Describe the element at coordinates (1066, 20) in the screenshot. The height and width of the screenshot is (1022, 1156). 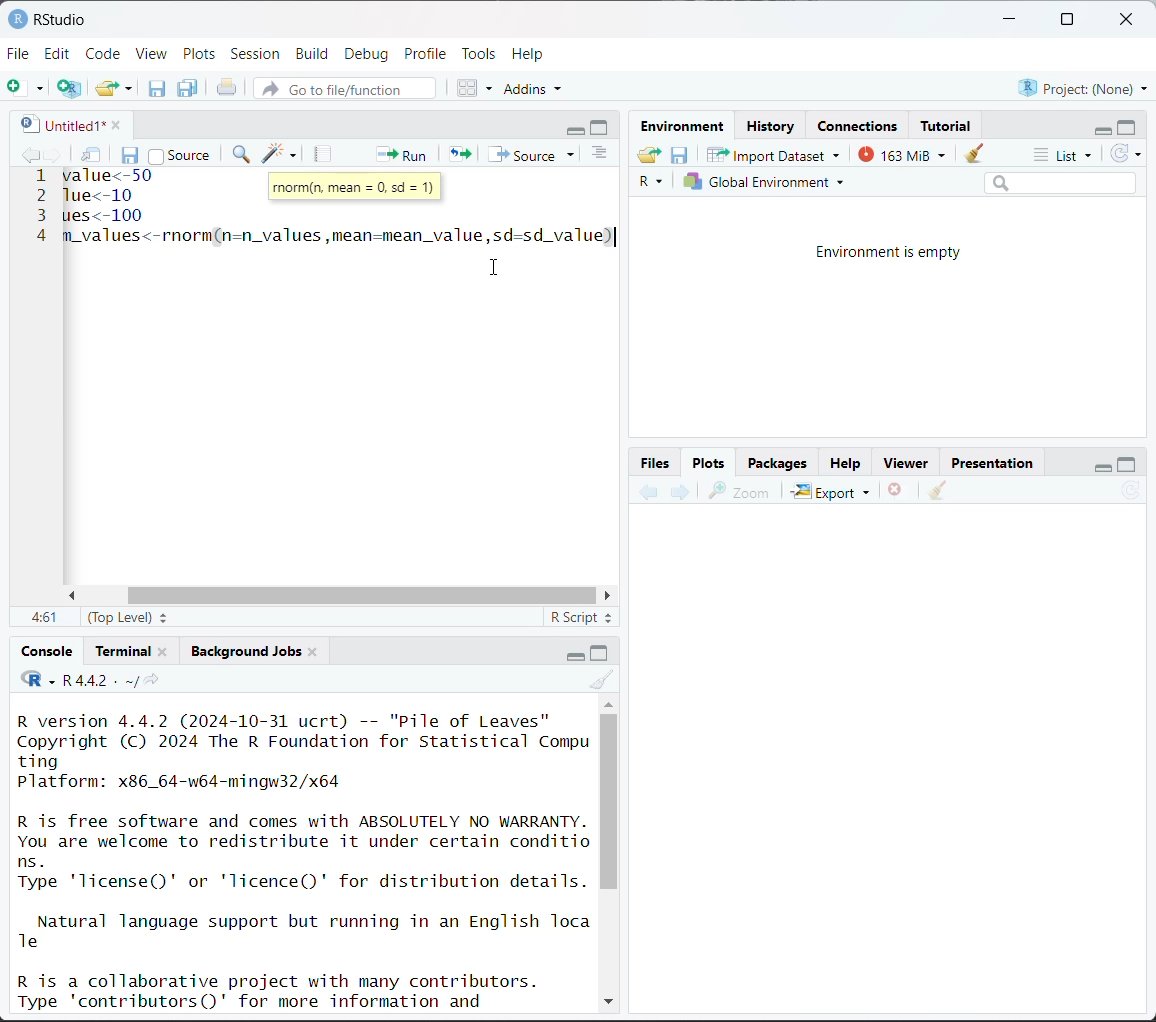
I see `maximize` at that location.